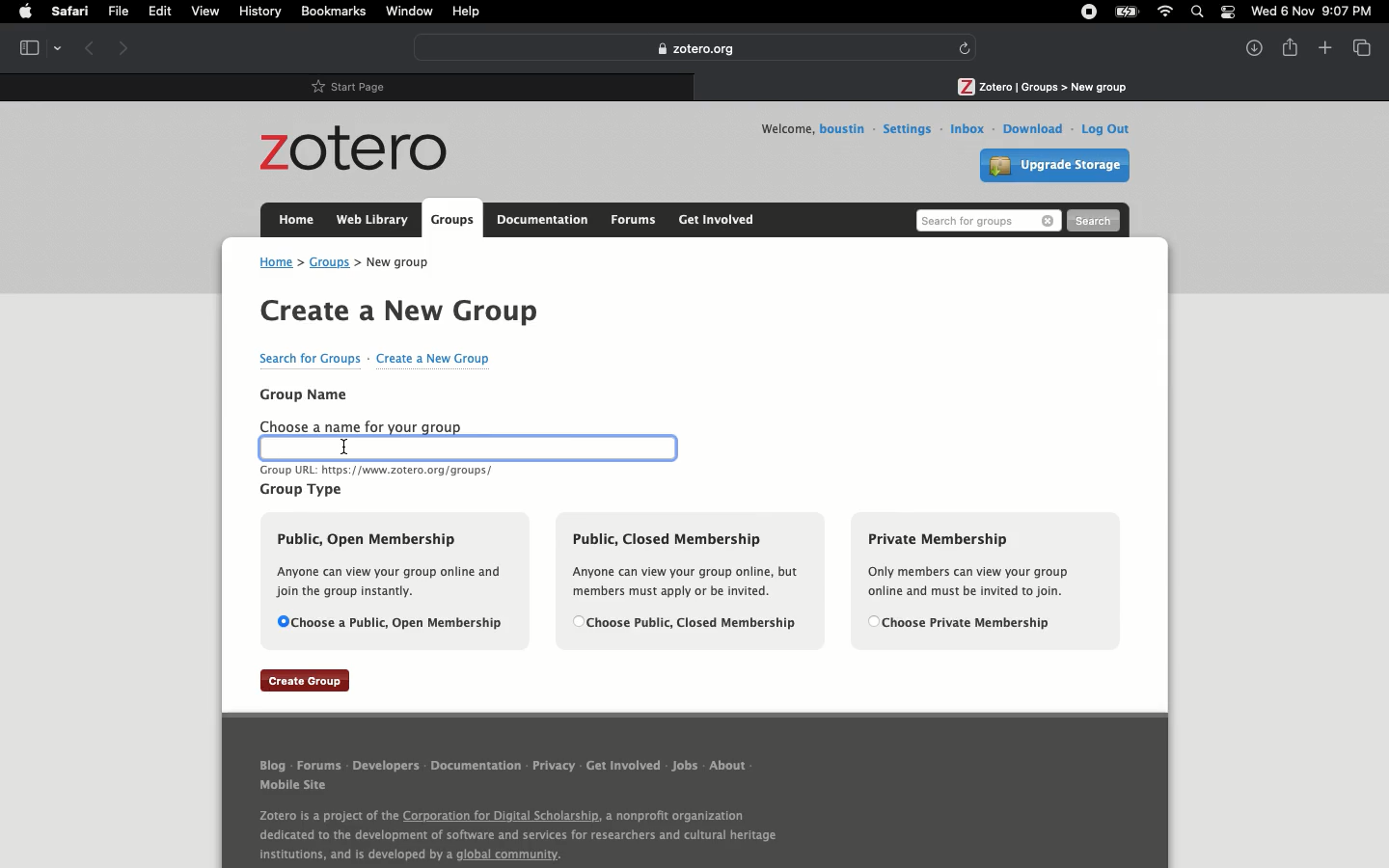 This screenshot has height=868, width=1389. What do you see at coordinates (321, 766) in the screenshot?
I see `Forums` at bounding box center [321, 766].